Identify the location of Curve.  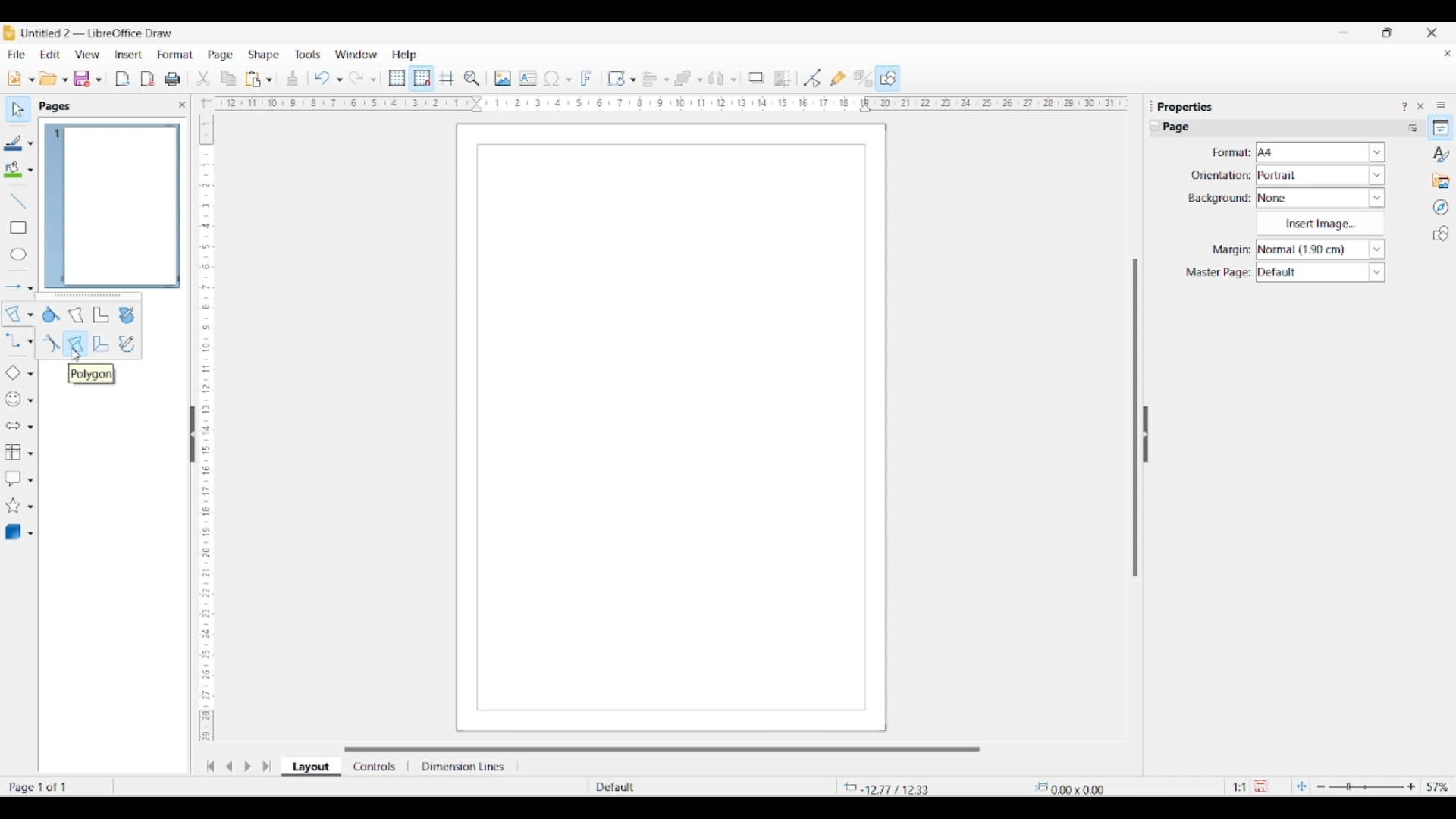
(51, 343).